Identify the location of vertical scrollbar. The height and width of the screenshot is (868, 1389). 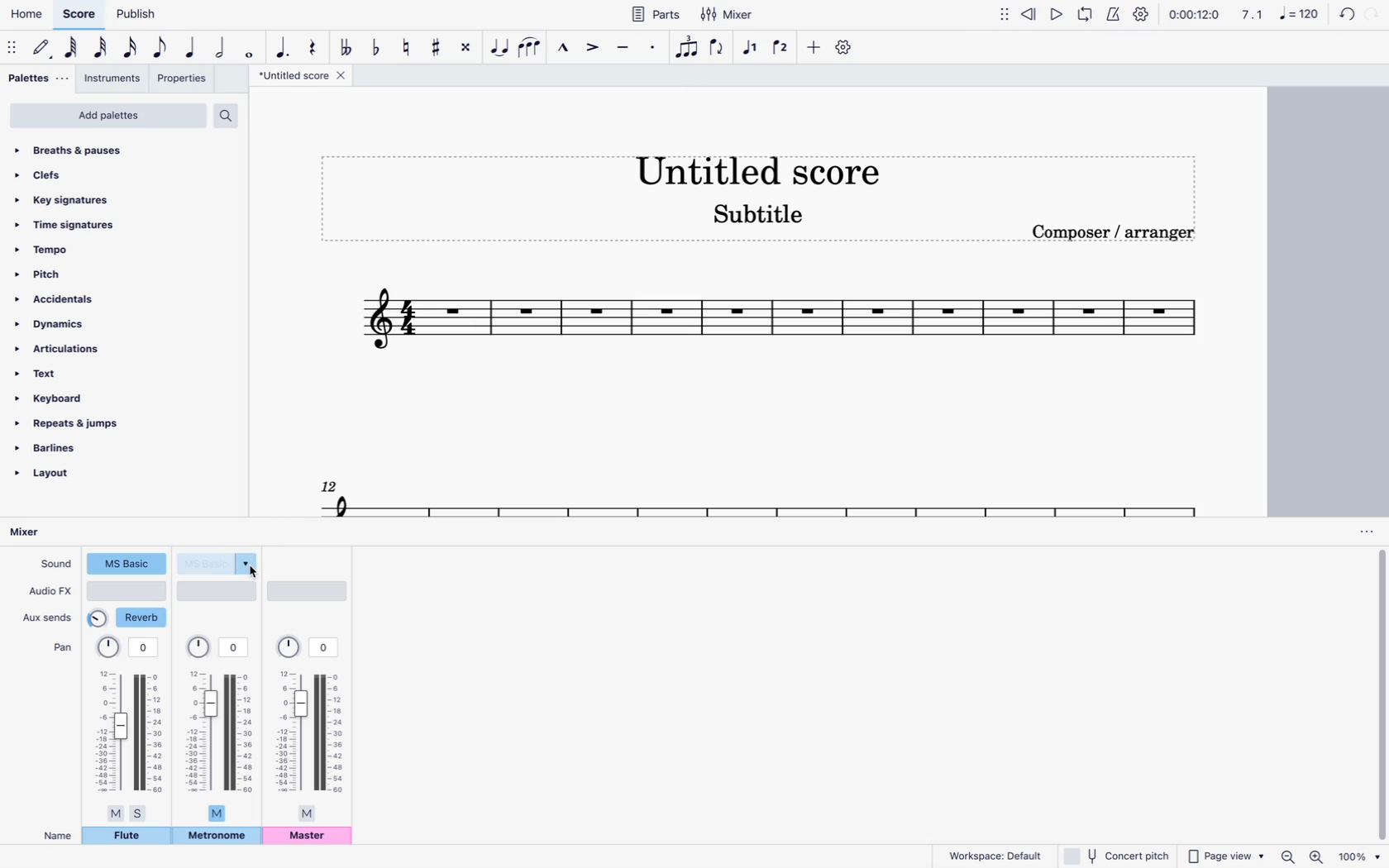
(1378, 696).